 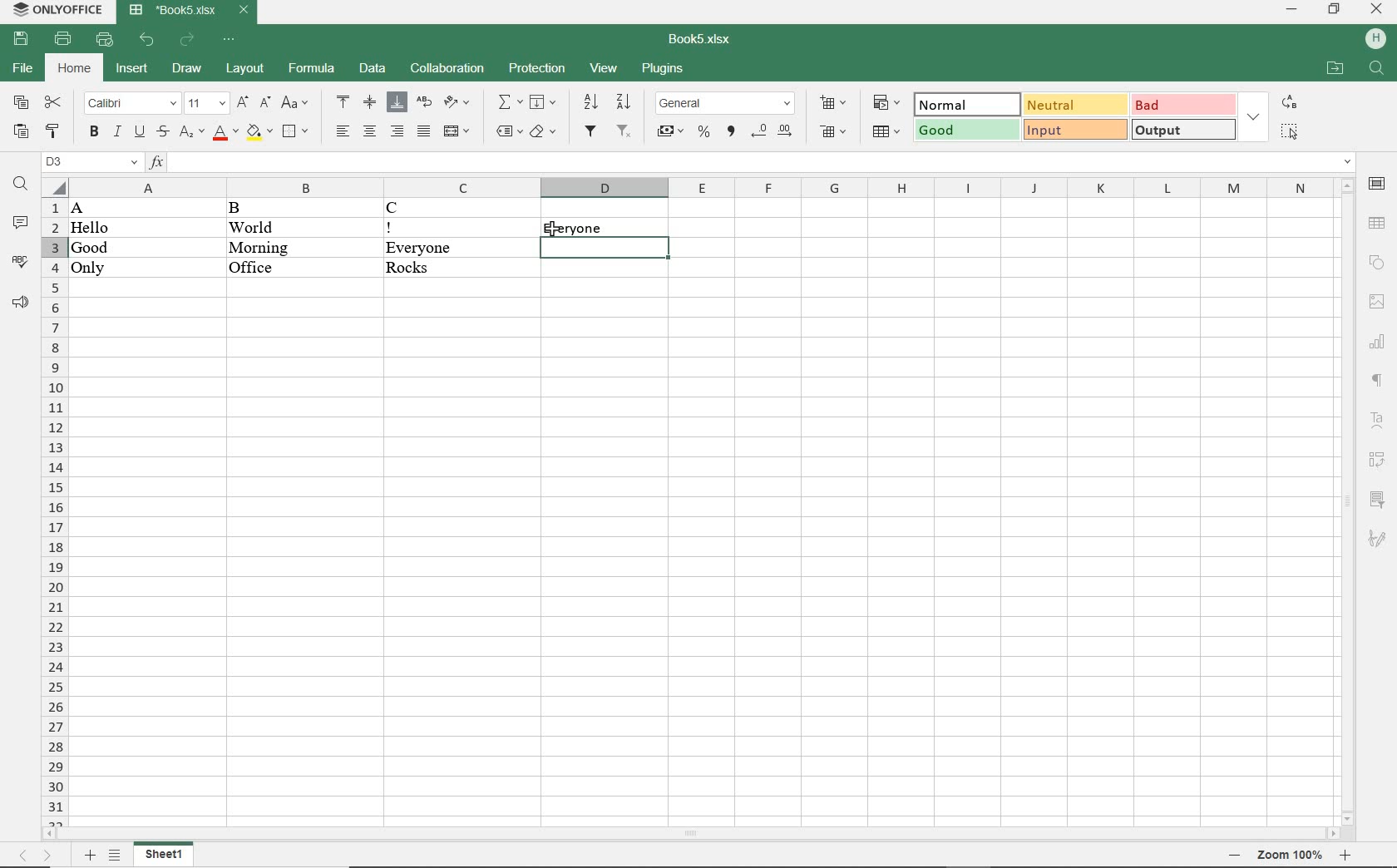 What do you see at coordinates (1334, 833) in the screenshot?
I see `move right` at bounding box center [1334, 833].